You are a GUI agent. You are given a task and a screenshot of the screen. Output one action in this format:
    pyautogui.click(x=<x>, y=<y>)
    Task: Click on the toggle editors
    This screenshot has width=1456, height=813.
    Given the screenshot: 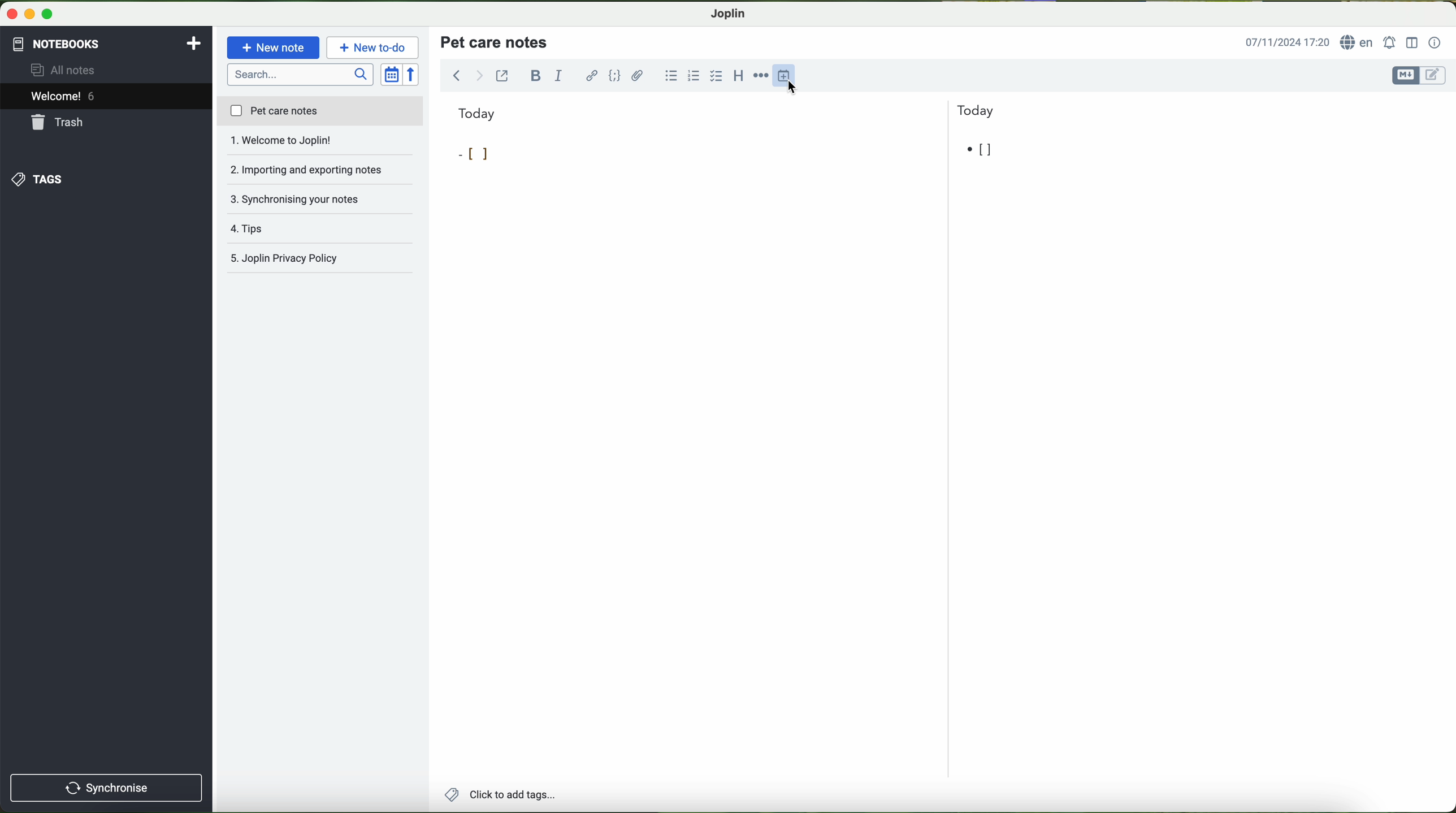 What is the action you would take?
    pyautogui.click(x=1418, y=76)
    